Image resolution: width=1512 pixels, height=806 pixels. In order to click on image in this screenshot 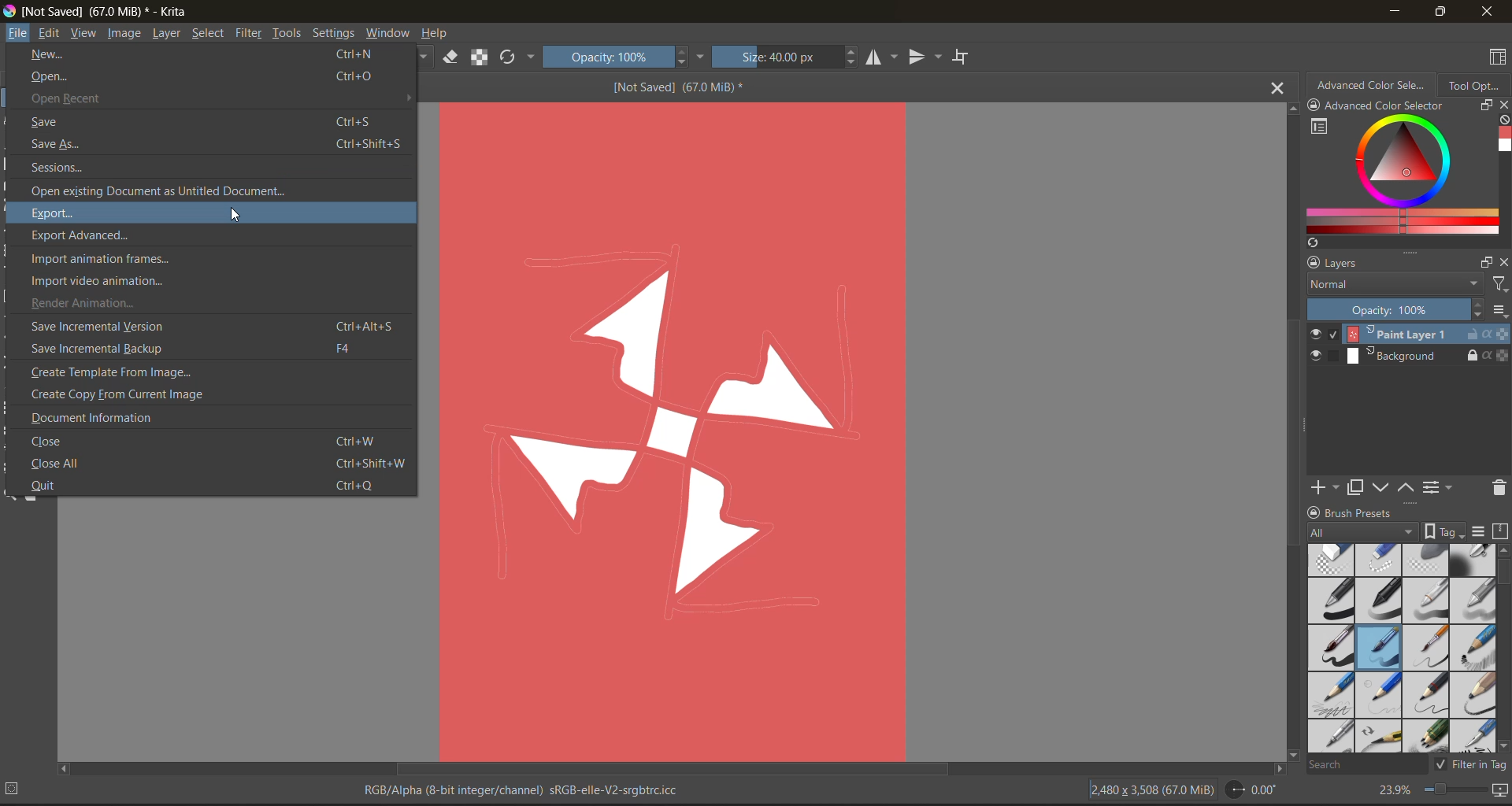, I will do `click(125, 34)`.